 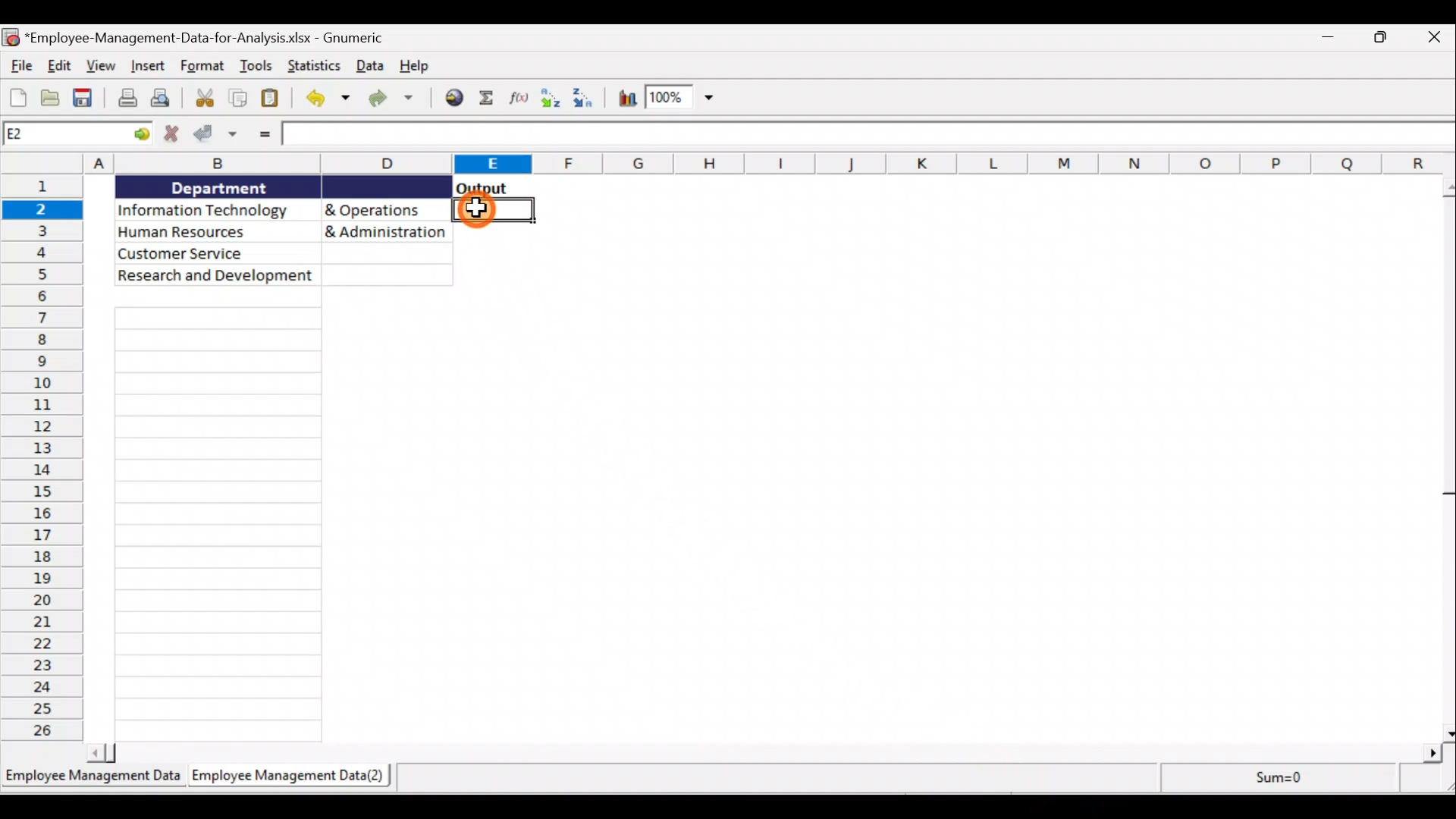 What do you see at coordinates (770, 164) in the screenshot?
I see `Columns` at bounding box center [770, 164].